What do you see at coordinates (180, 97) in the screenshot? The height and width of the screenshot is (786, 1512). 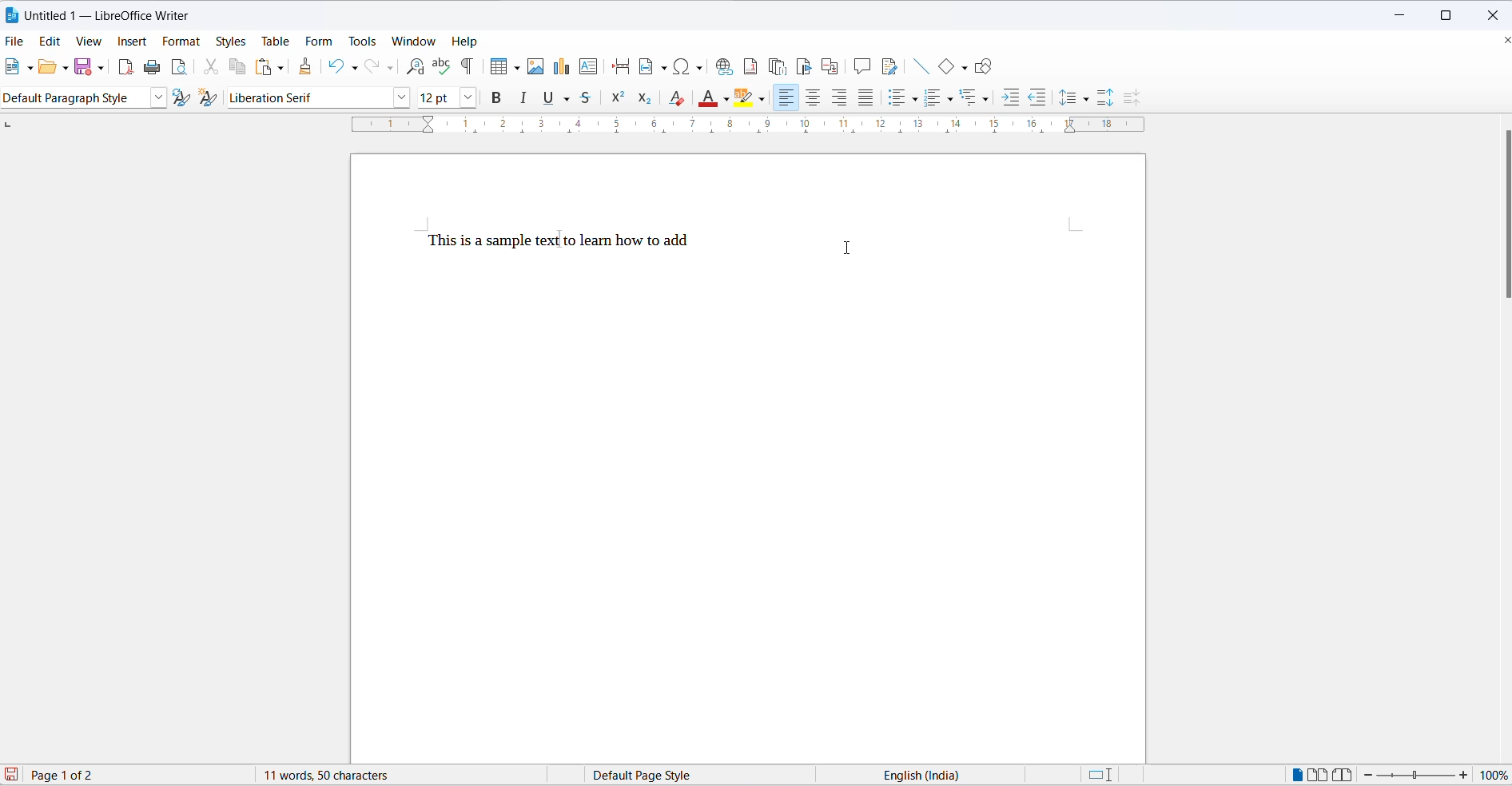 I see `update selected style` at bounding box center [180, 97].